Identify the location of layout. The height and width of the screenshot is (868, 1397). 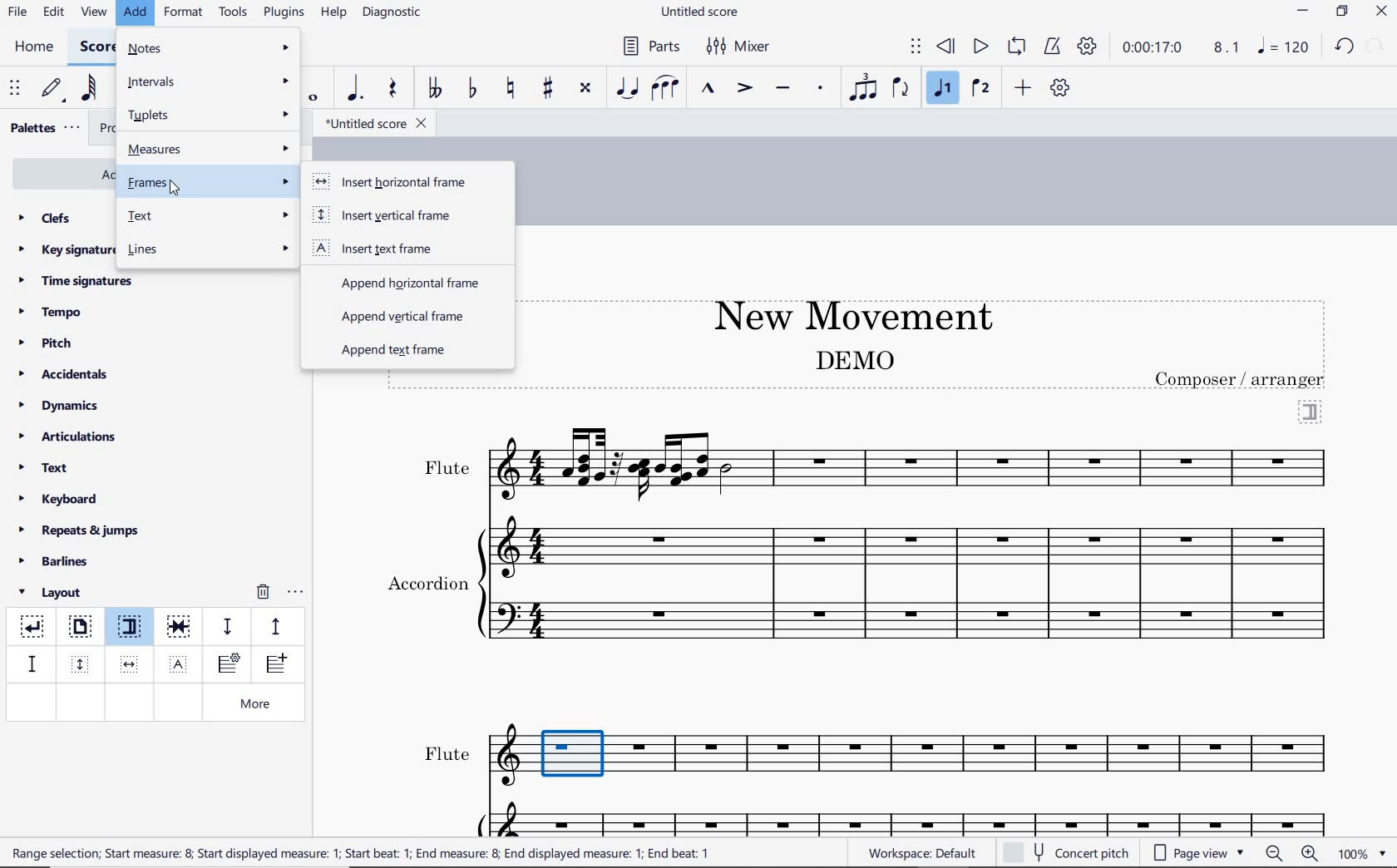
(53, 593).